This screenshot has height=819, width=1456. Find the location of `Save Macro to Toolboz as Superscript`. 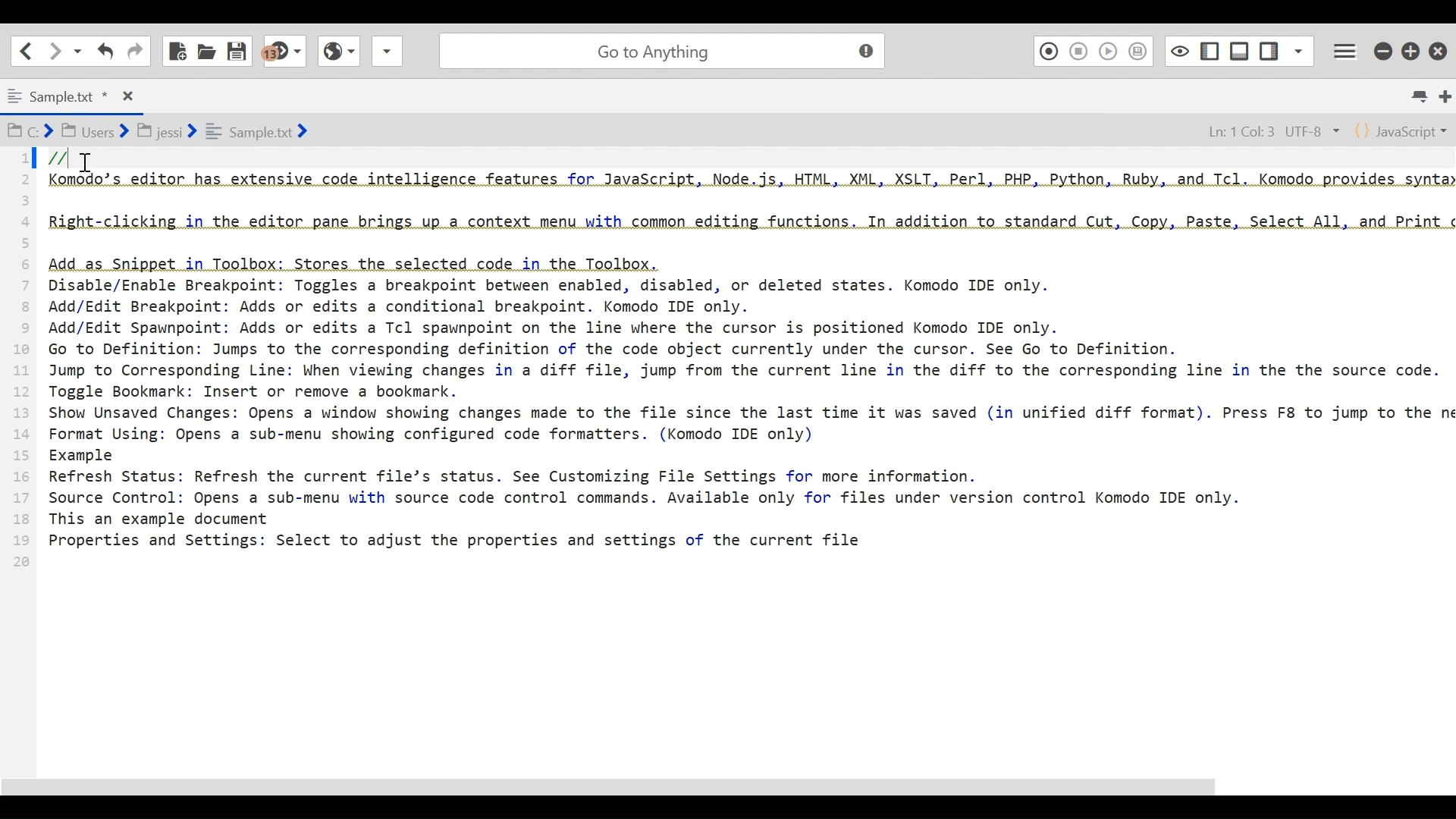

Save Macro to Toolboz as Superscript is located at coordinates (1141, 50).